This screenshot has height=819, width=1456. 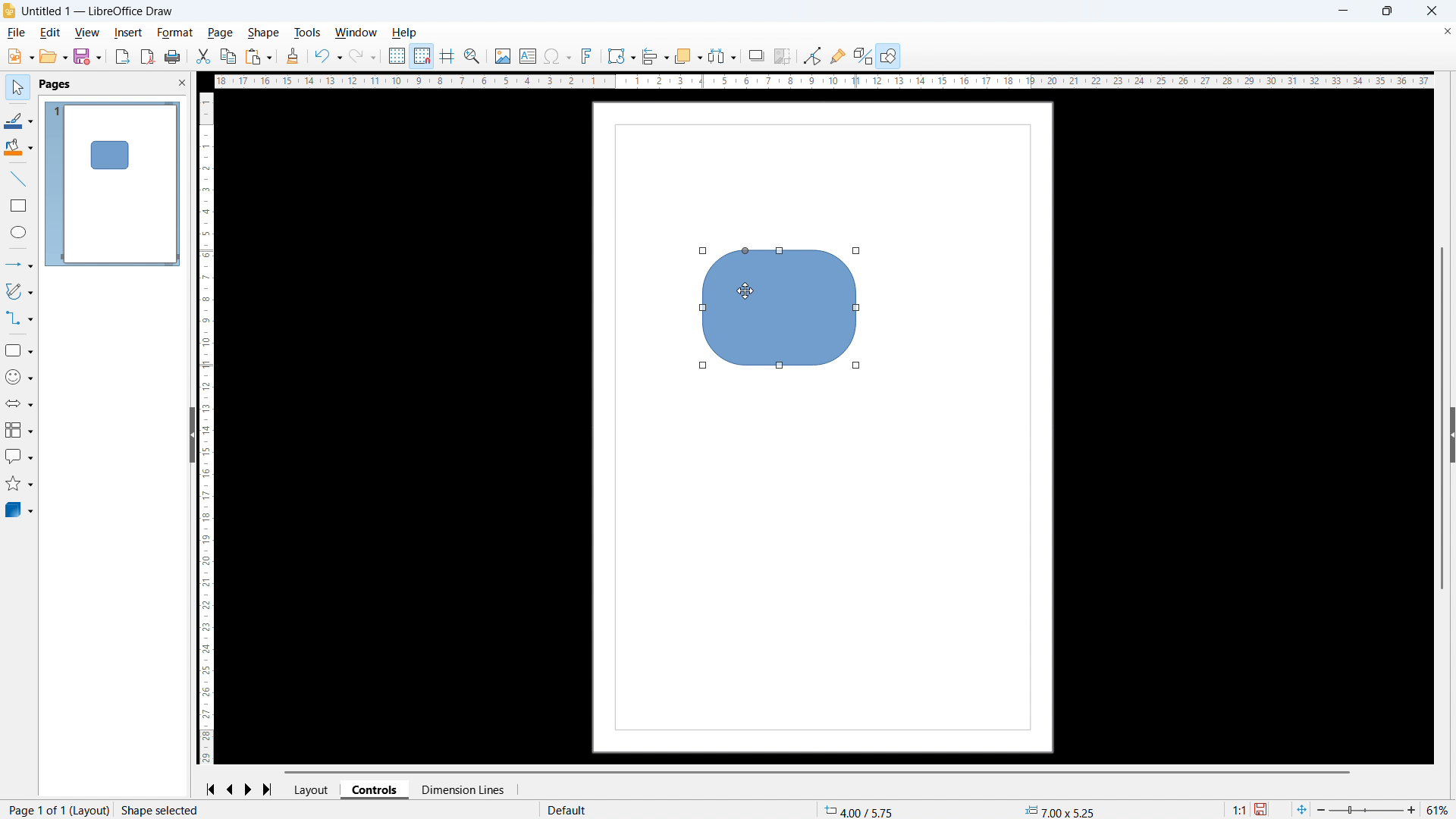 What do you see at coordinates (20, 318) in the screenshot?
I see `Connectors ` at bounding box center [20, 318].